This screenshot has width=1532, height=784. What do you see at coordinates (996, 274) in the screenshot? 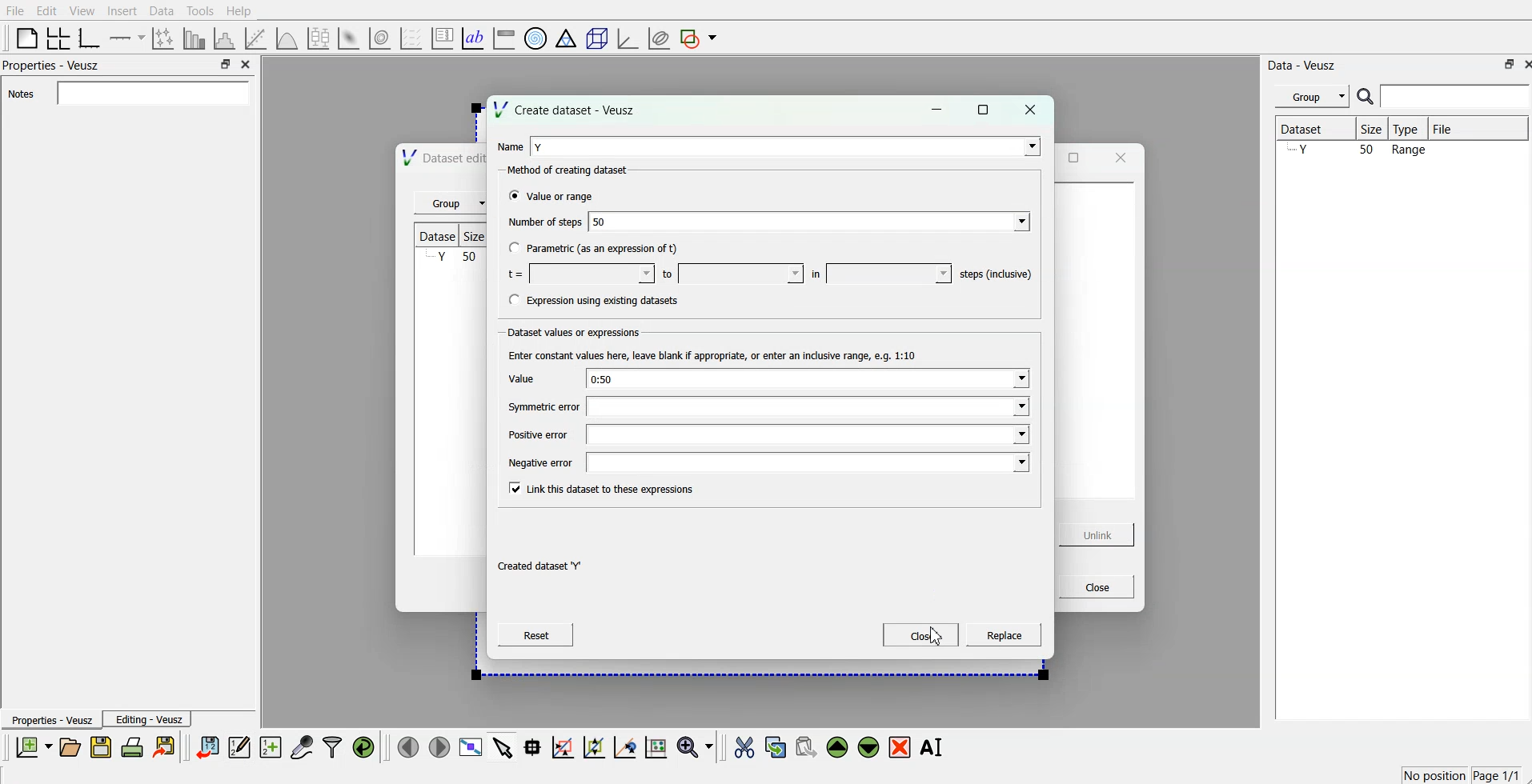
I see `‘steps (inclusive)` at bounding box center [996, 274].